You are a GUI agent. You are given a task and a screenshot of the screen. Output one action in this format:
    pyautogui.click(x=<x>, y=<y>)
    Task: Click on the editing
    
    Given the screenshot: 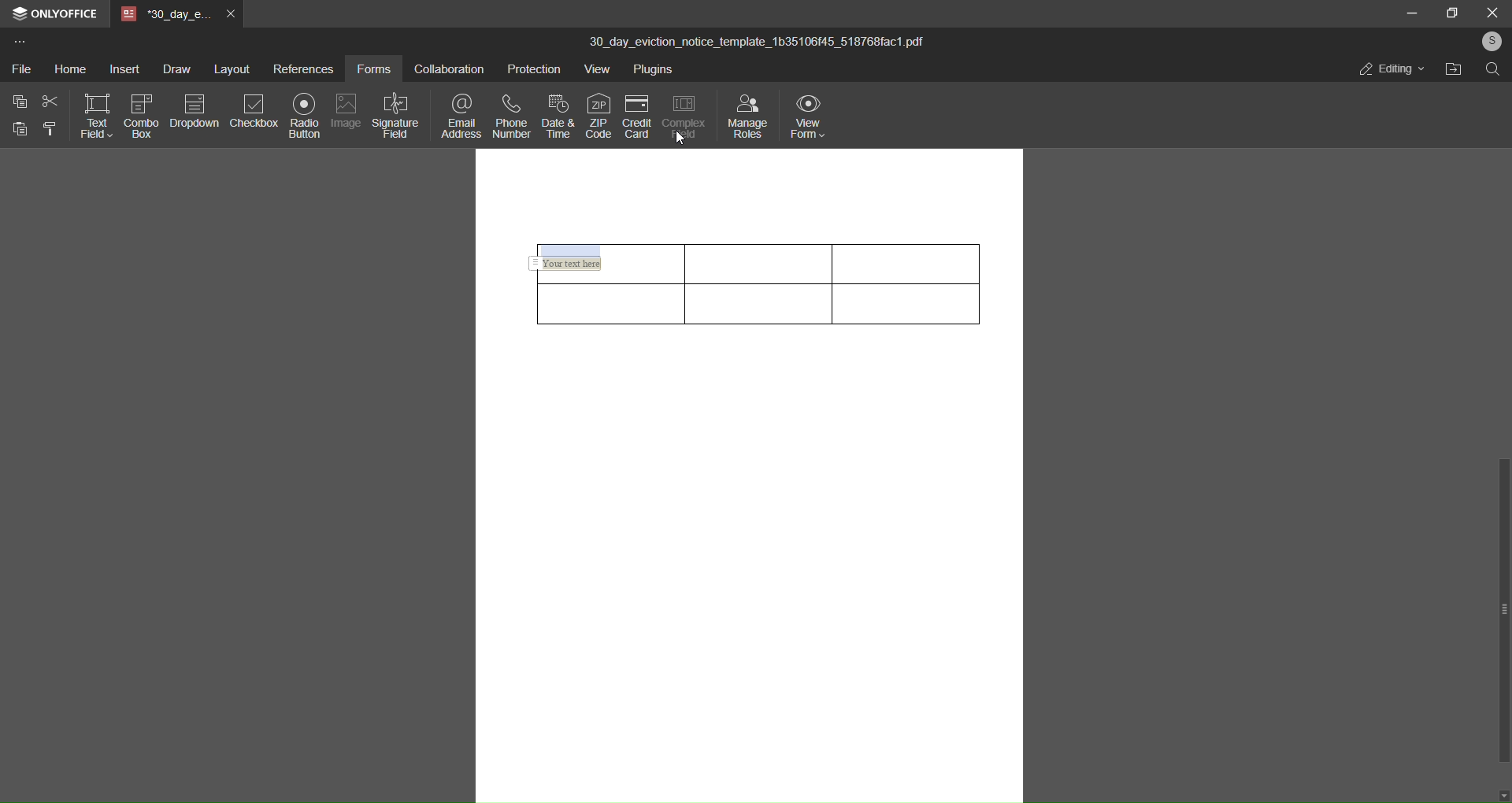 What is the action you would take?
    pyautogui.click(x=1391, y=72)
    